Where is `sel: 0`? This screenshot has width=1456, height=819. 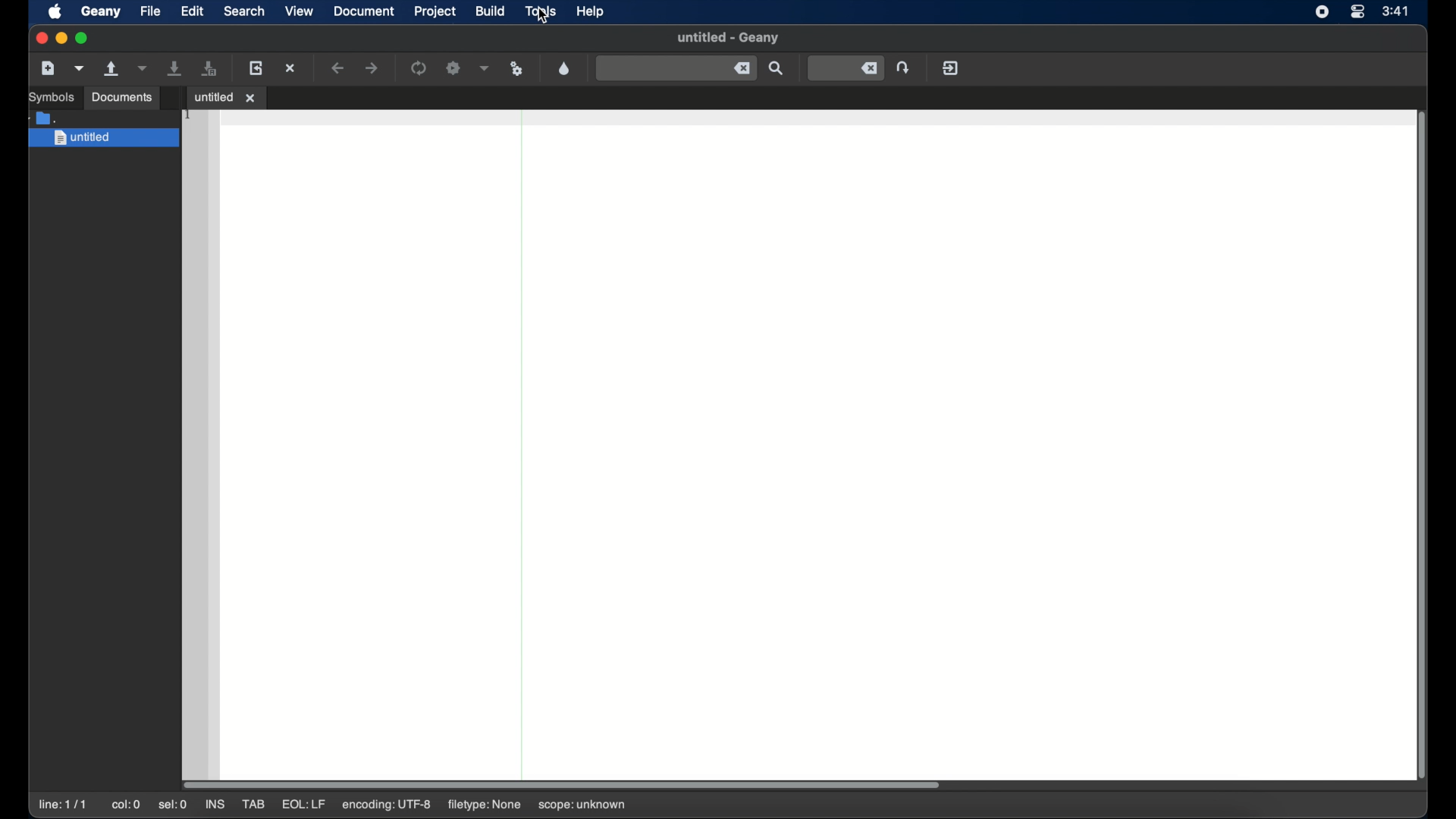 sel: 0 is located at coordinates (173, 805).